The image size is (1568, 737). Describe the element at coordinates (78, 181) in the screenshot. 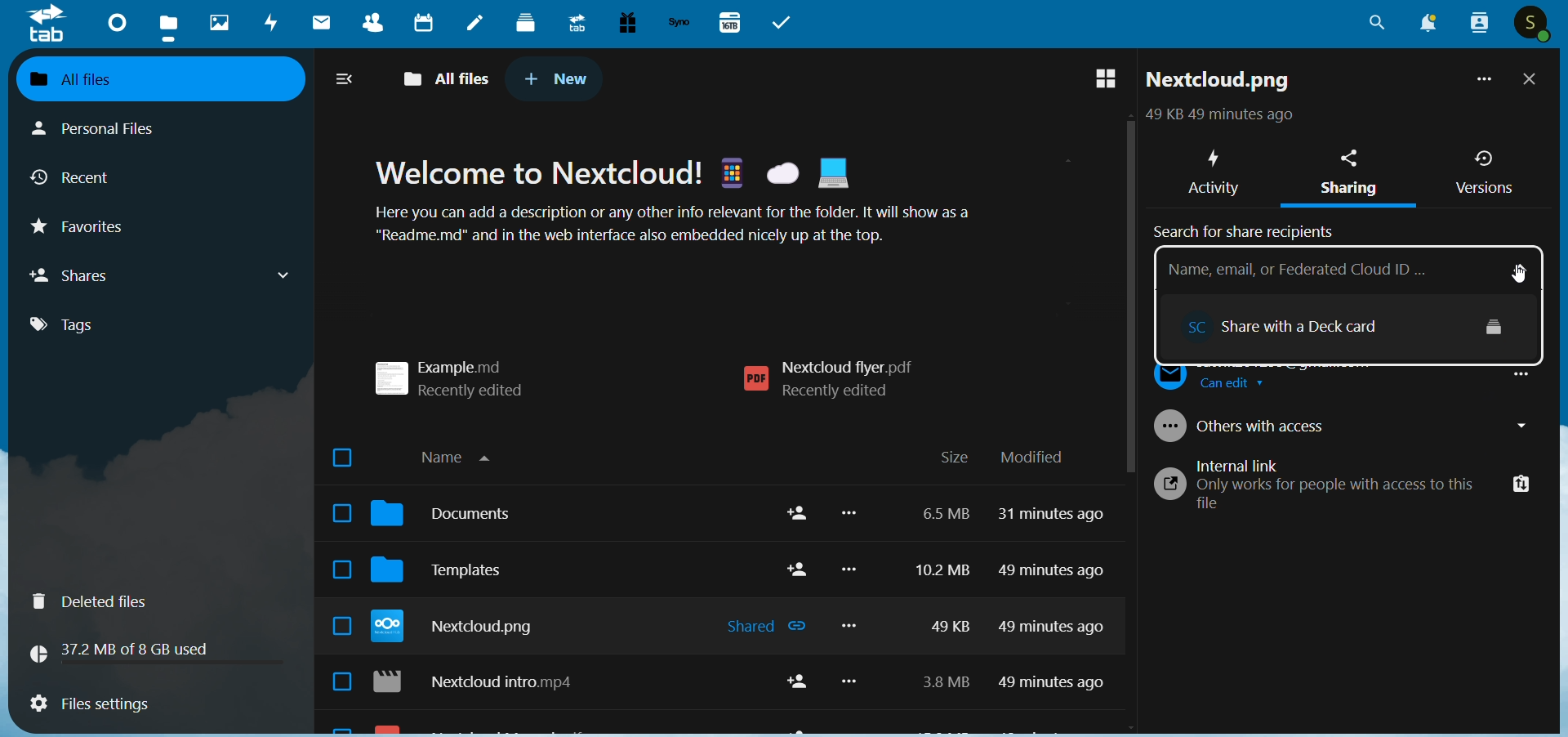

I see `recent` at that location.